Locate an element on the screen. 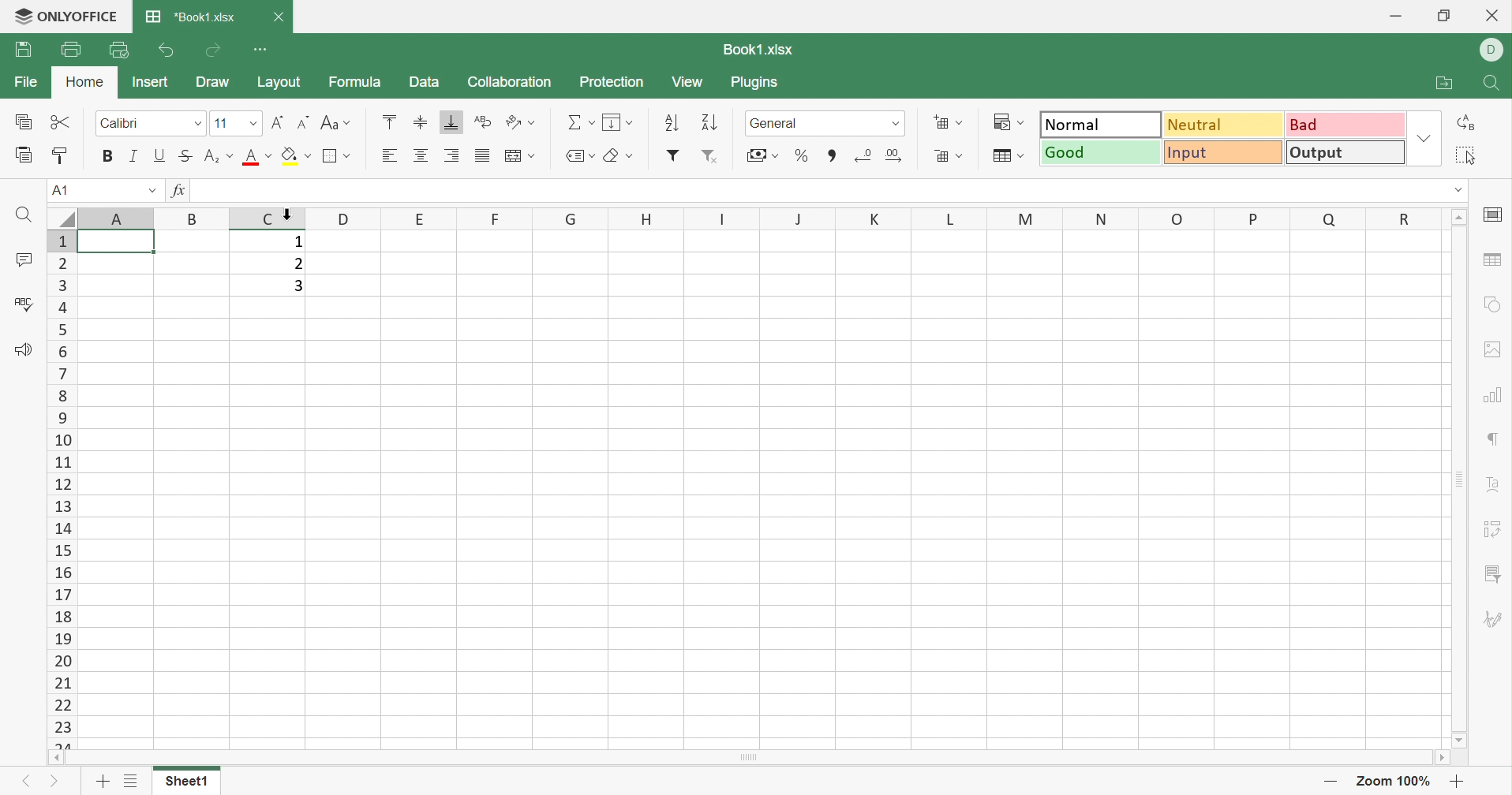 The width and height of the screenshot is (1512, 795). Align Center is located at coordinates (421, 155).